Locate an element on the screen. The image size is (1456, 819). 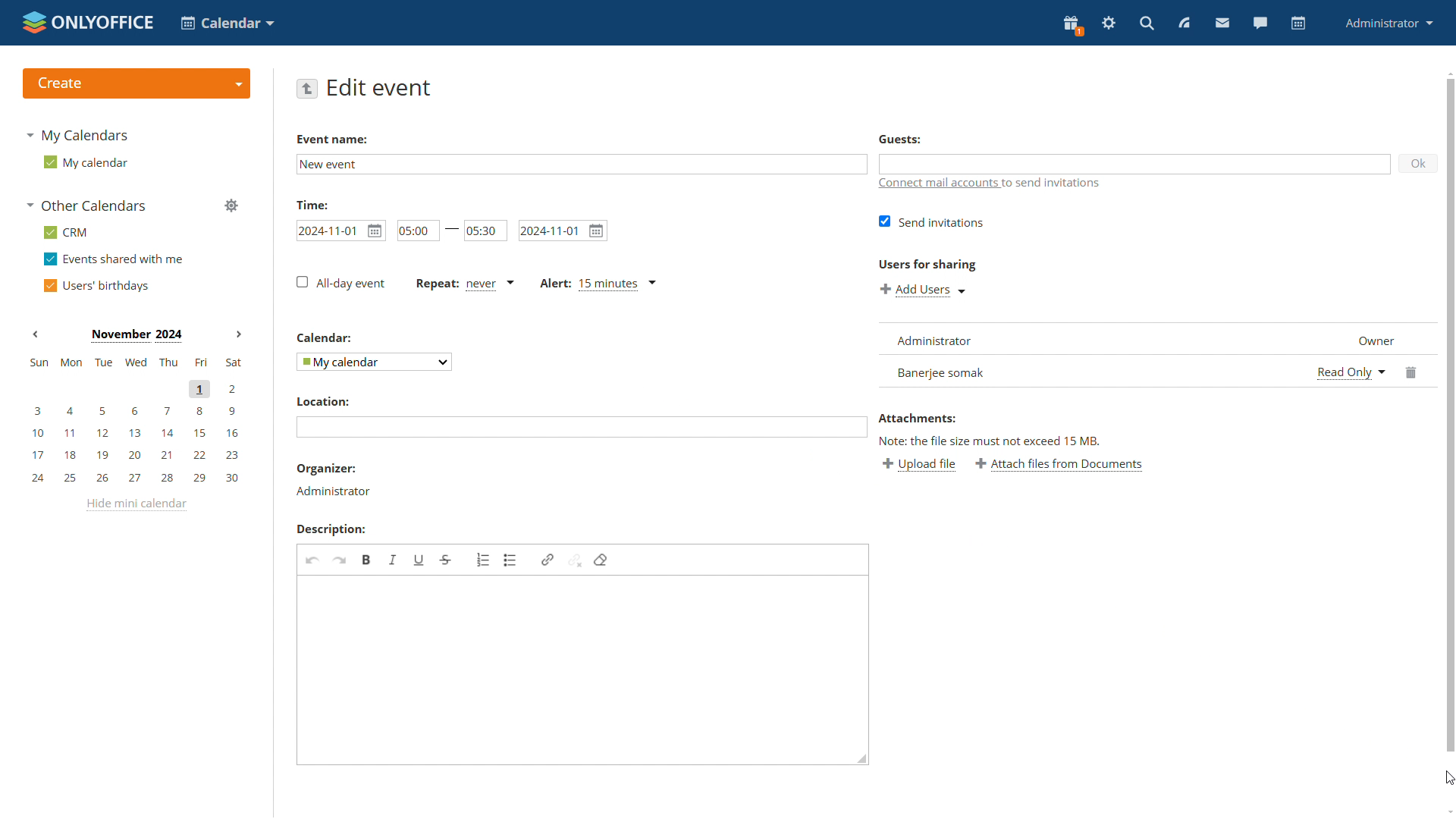
insert/remove bulletted list is located at coordinates (512, 560).